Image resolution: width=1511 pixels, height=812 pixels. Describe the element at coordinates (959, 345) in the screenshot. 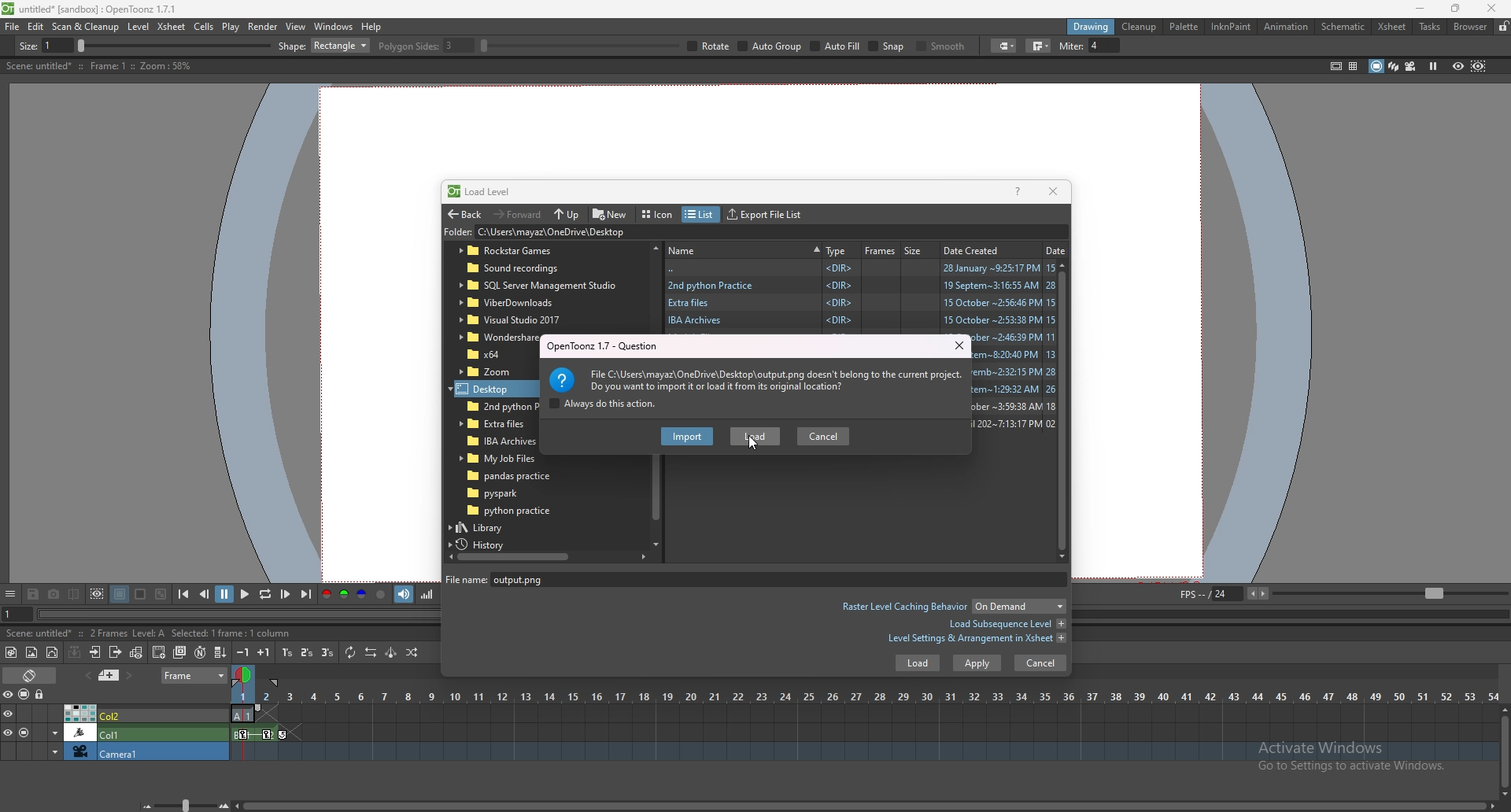

I see `close` at that location.